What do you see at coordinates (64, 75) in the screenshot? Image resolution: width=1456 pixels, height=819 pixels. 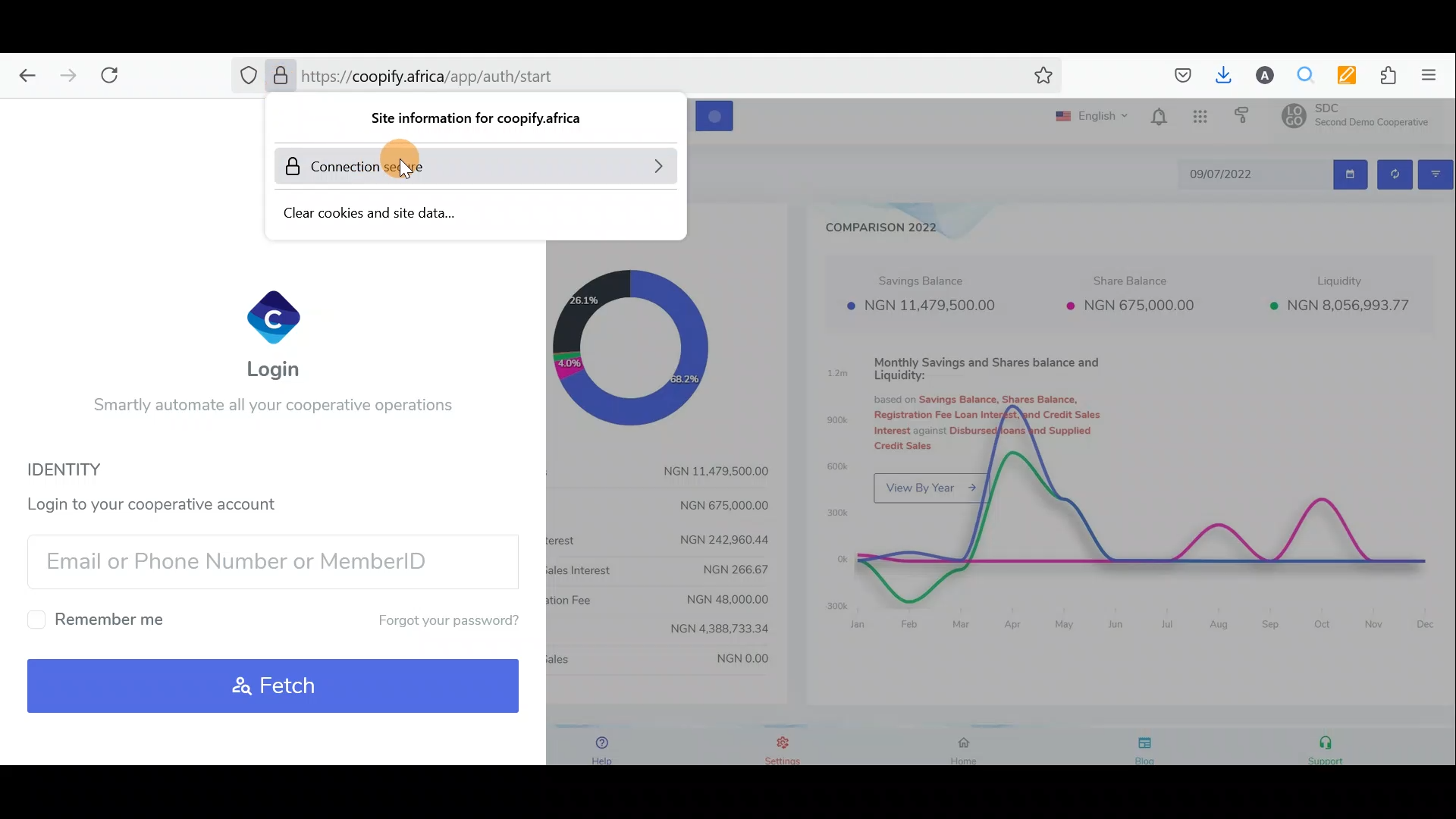 I see `Go forward one page` at bounding box center [64, 75].